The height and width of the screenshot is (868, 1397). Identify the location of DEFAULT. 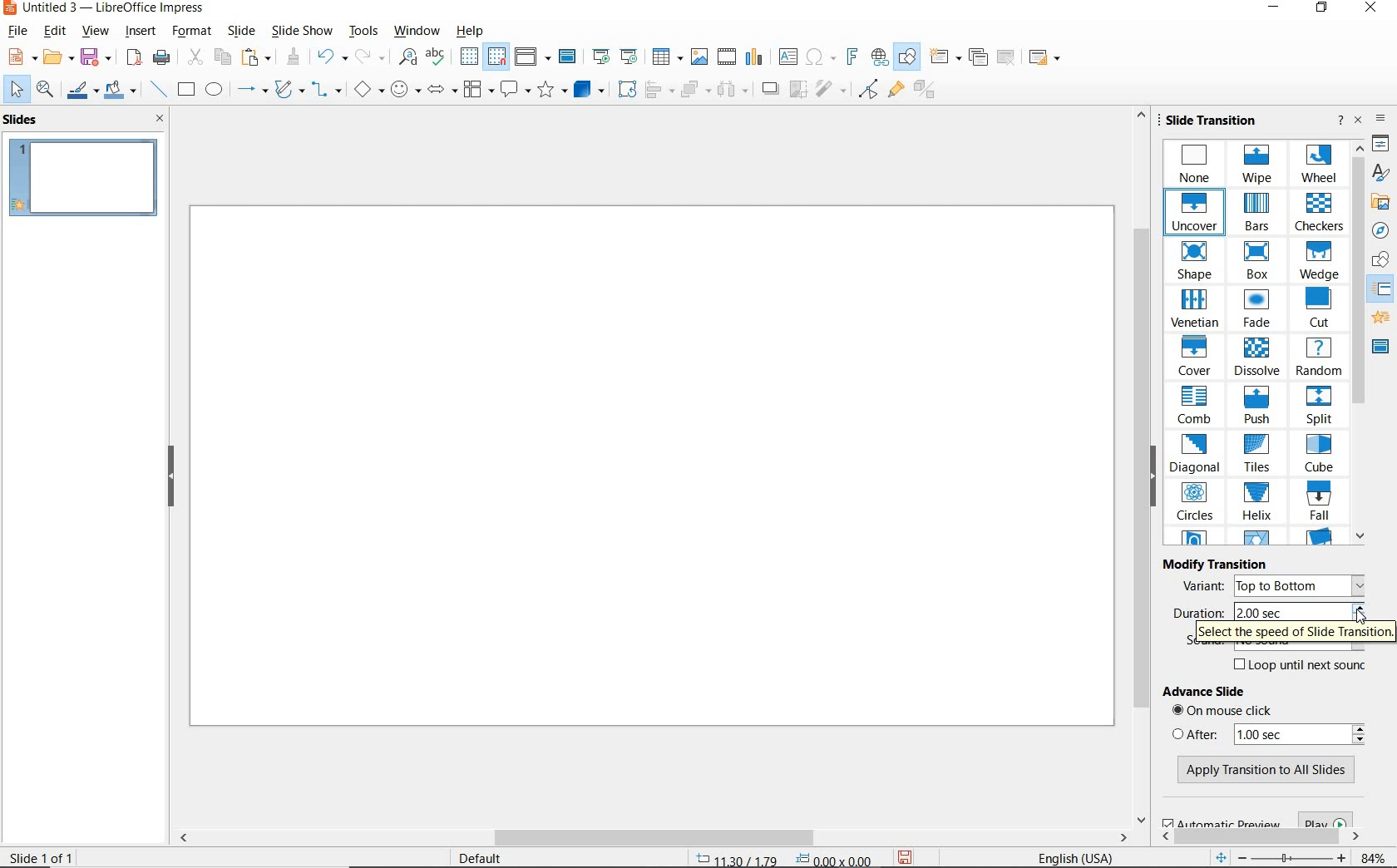
(484, 856).